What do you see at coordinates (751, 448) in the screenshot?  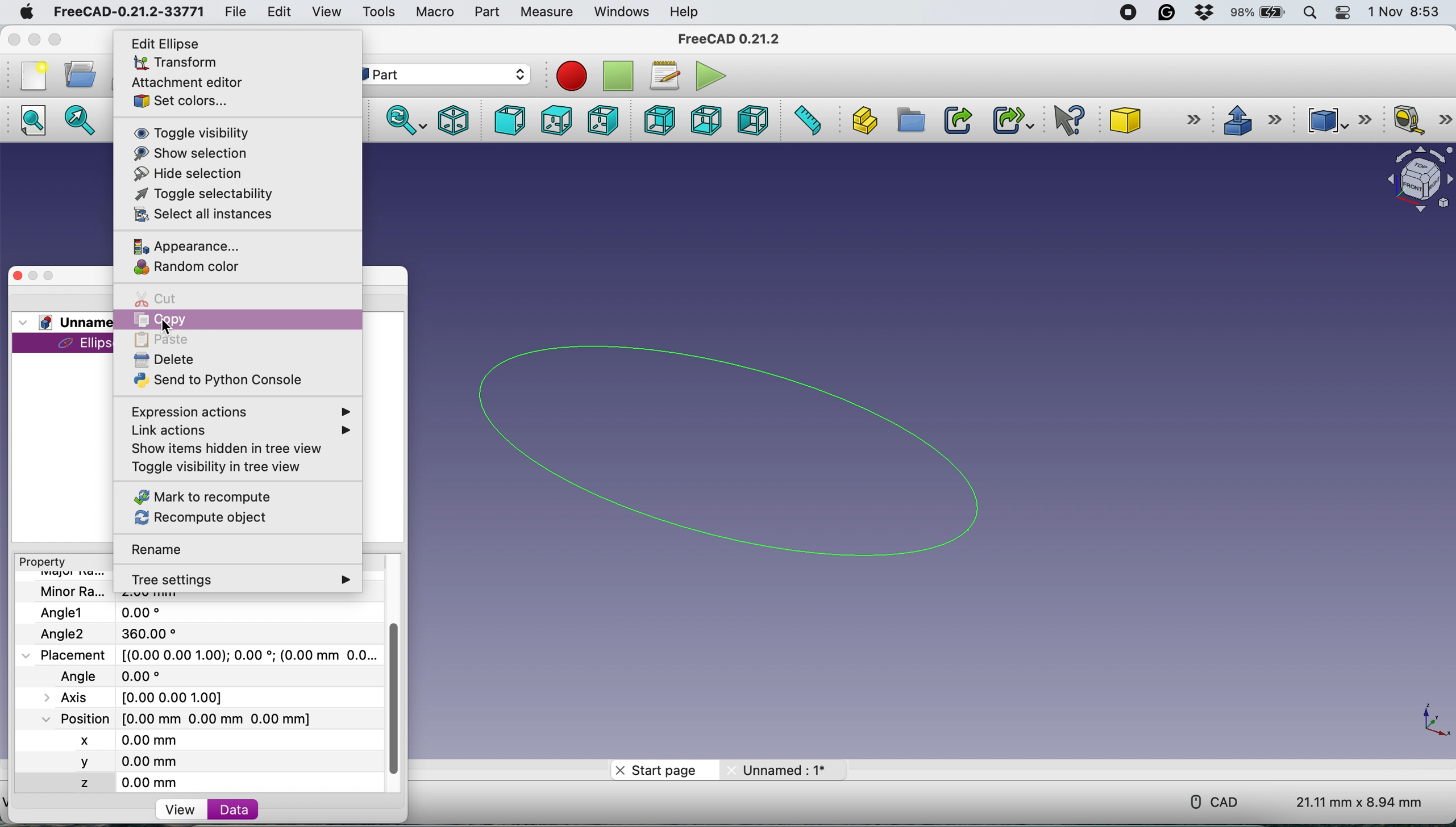 I see `ellipse` at bounding box center [751, 448].